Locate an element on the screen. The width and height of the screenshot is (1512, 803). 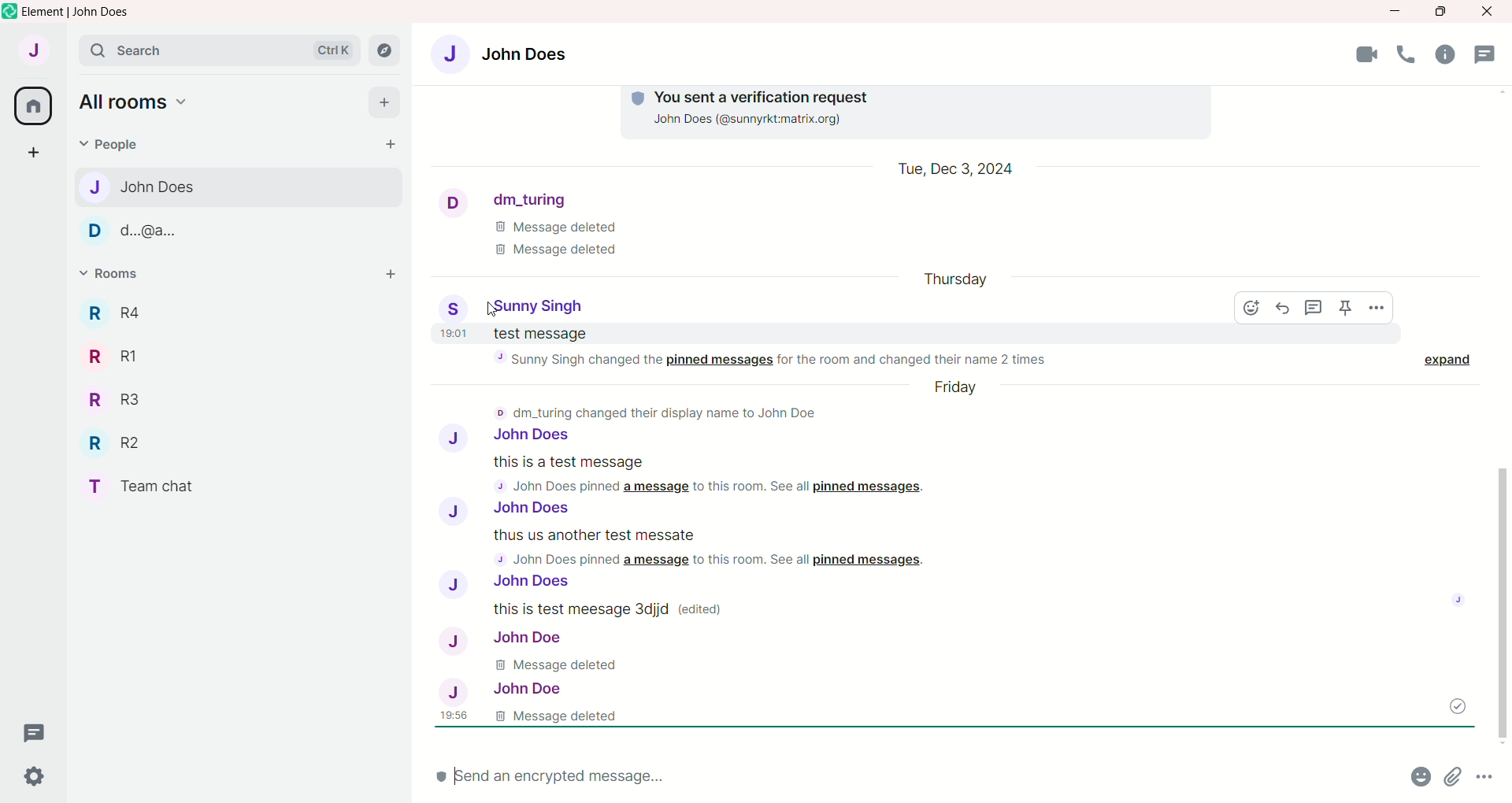
message sent is located at coordinates (1459, 707).